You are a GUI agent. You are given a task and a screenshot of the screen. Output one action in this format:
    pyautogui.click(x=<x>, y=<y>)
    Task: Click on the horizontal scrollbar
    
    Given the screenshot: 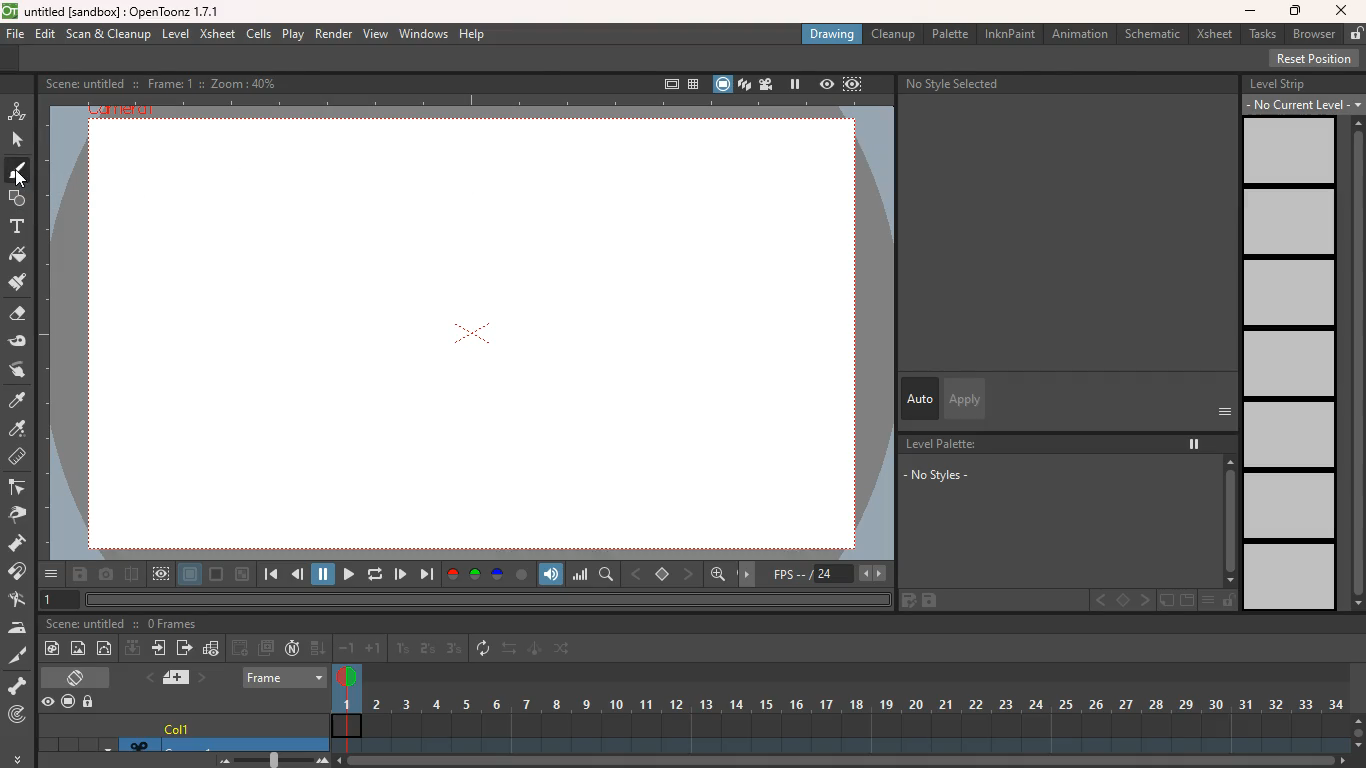 What is the action you would take?
    pyautogui.click(x=487, y=599)
    